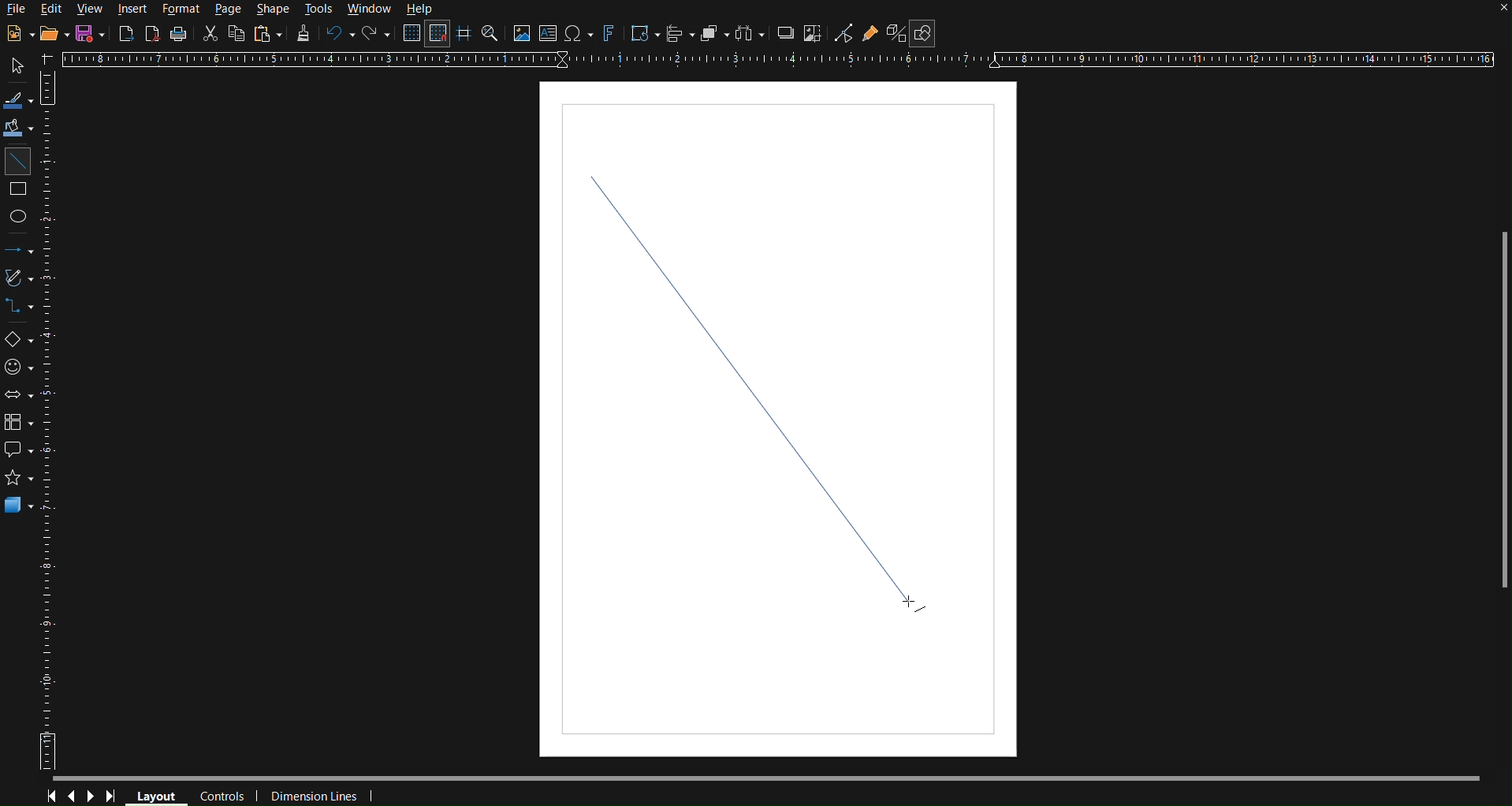 The height and width of the screenshot is (806, 1512). I want to click on Insert Textbox, so click(549, 34).